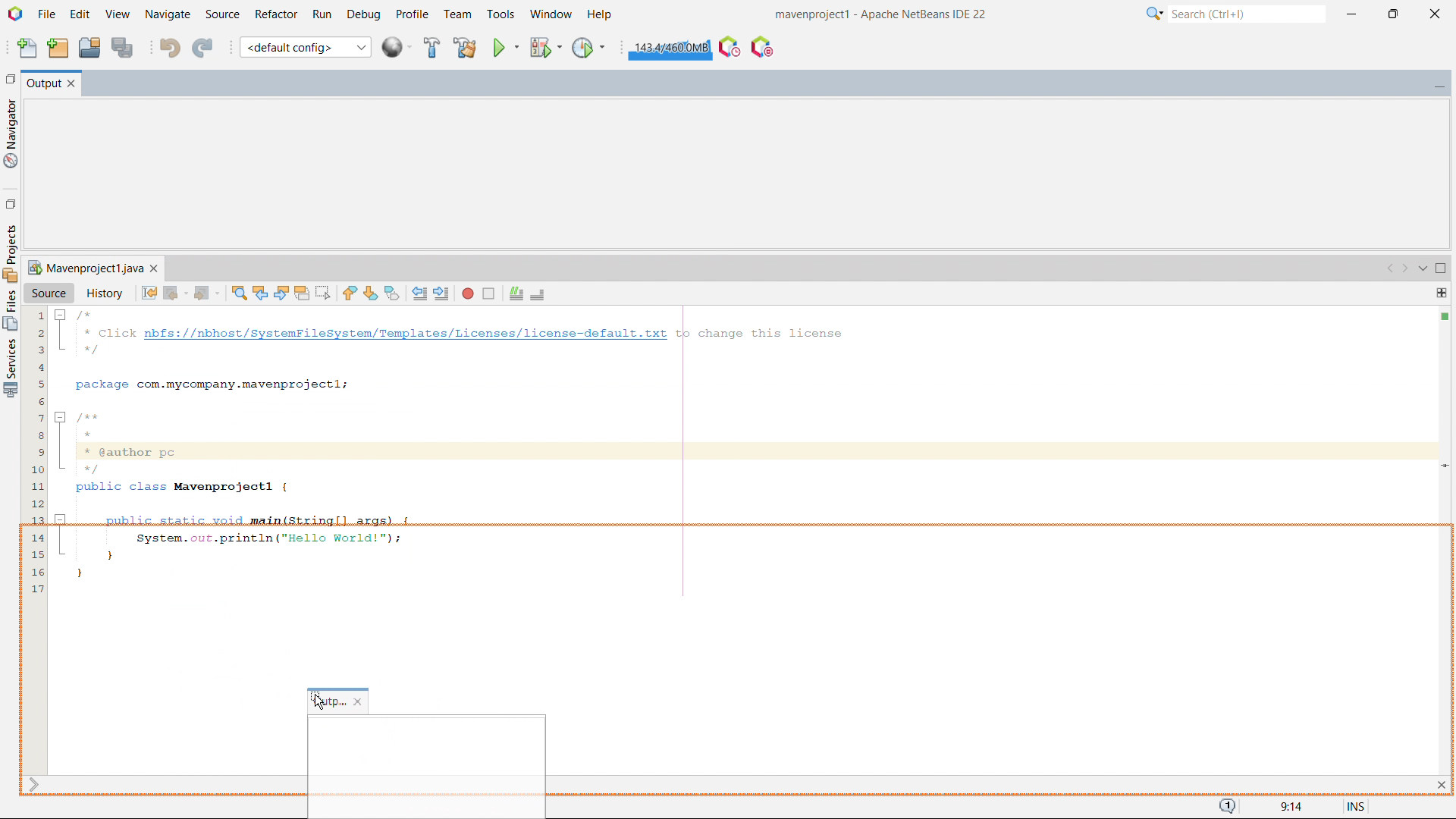 The width and height of the screenshot is (1456, 819). Describe the element at coordinates (1351, 14) in the screenshot. I see `minimize` at that location.